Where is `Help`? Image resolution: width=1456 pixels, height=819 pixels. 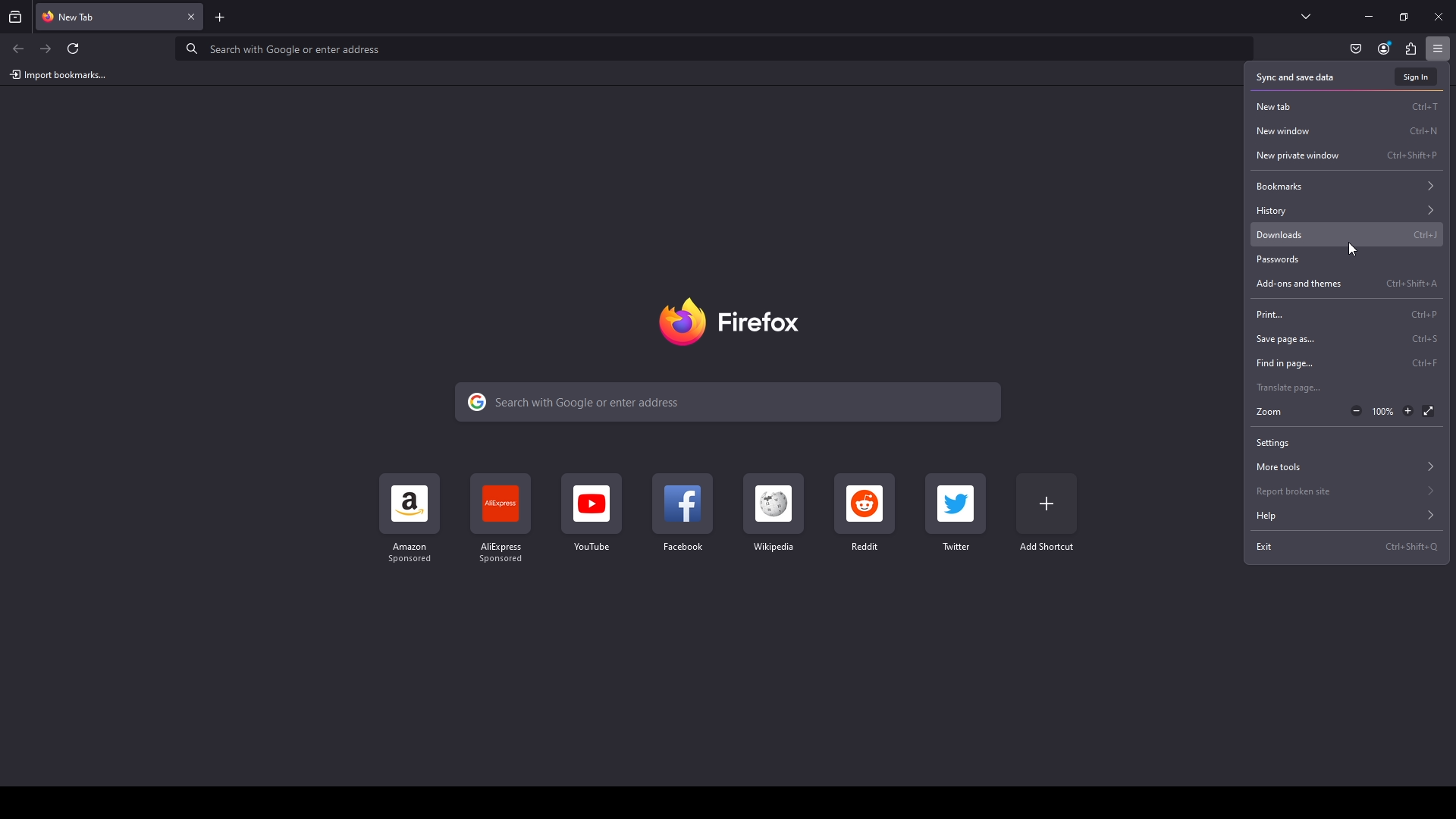 Help is located at coordinates (1347, 516).